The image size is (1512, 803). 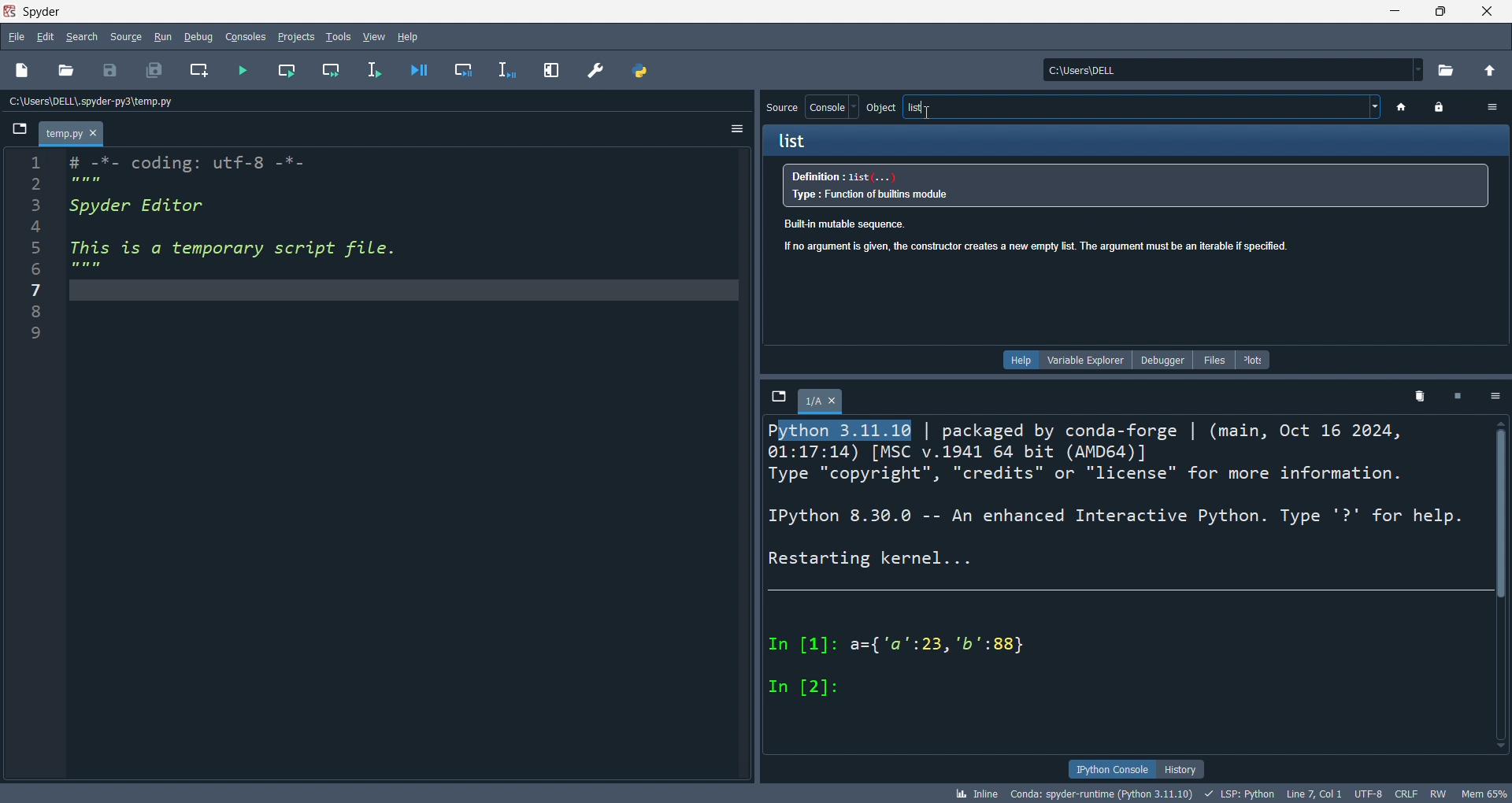 What do you see at coordinates (413, 71) in the screenshot?
I see `debug file` at bounding box center [413, 71].